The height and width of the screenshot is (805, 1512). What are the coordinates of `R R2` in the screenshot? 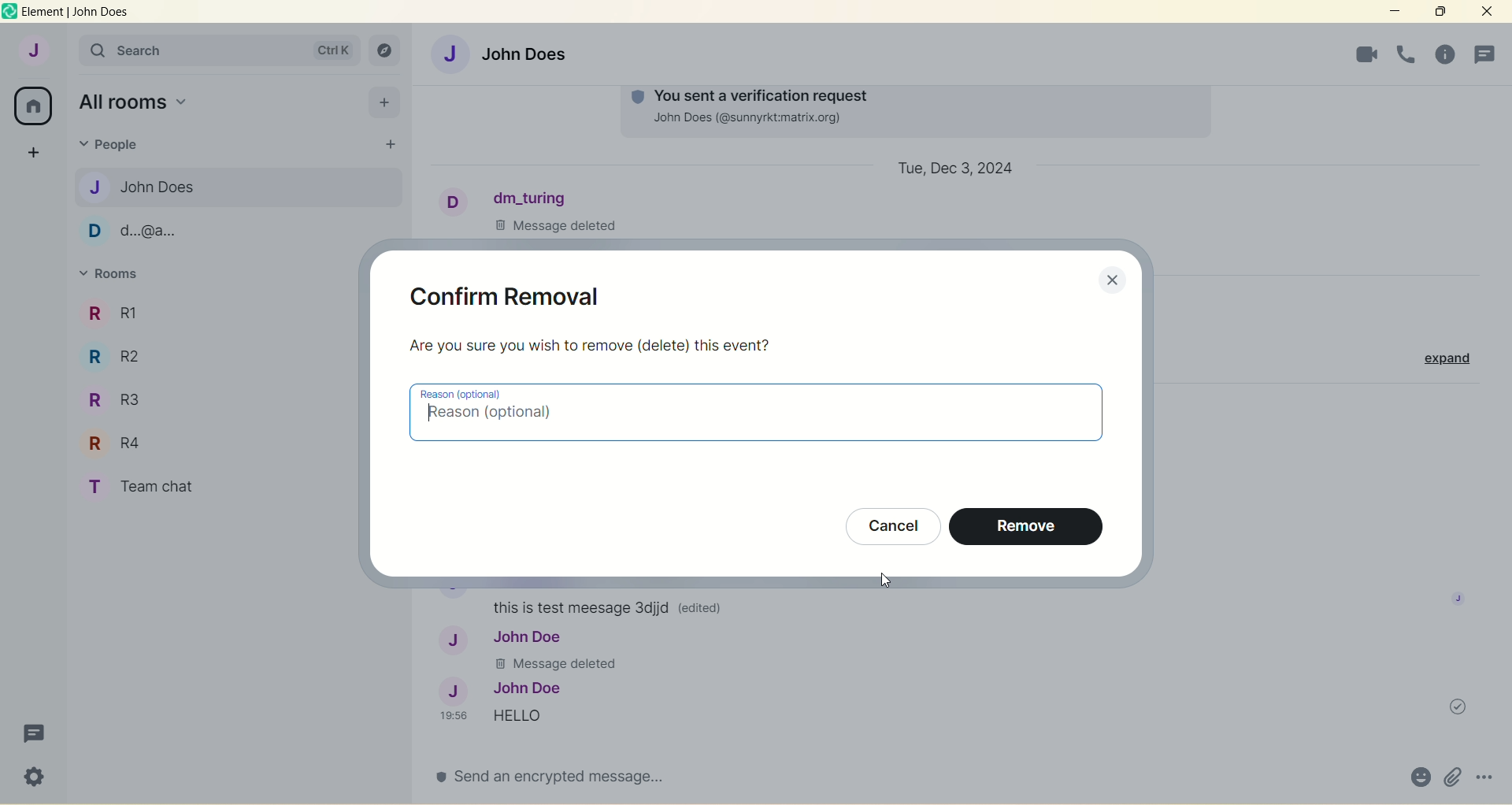 It's located at (124, 356).